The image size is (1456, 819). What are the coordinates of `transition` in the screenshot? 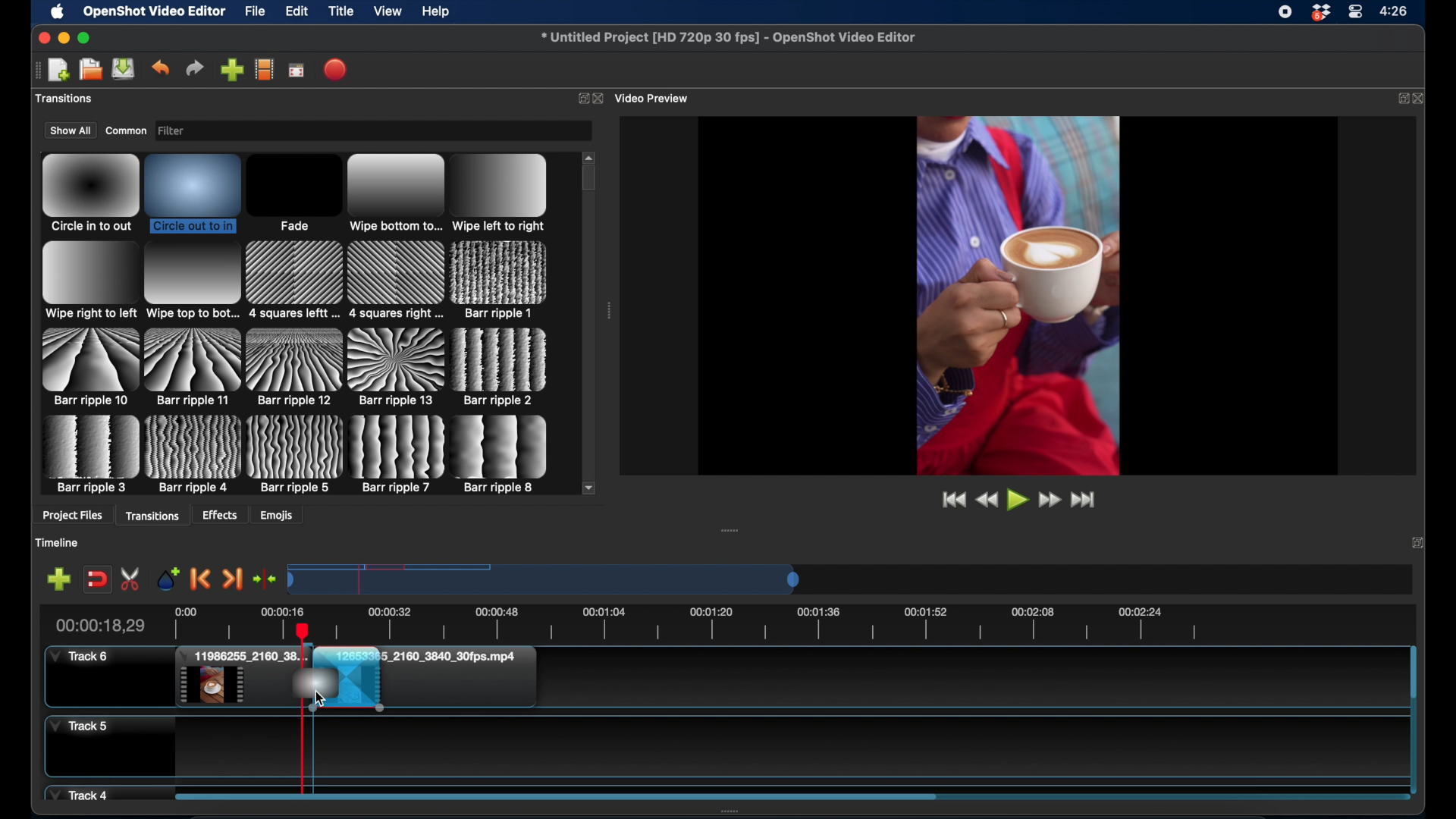 It's located at (395, 194).